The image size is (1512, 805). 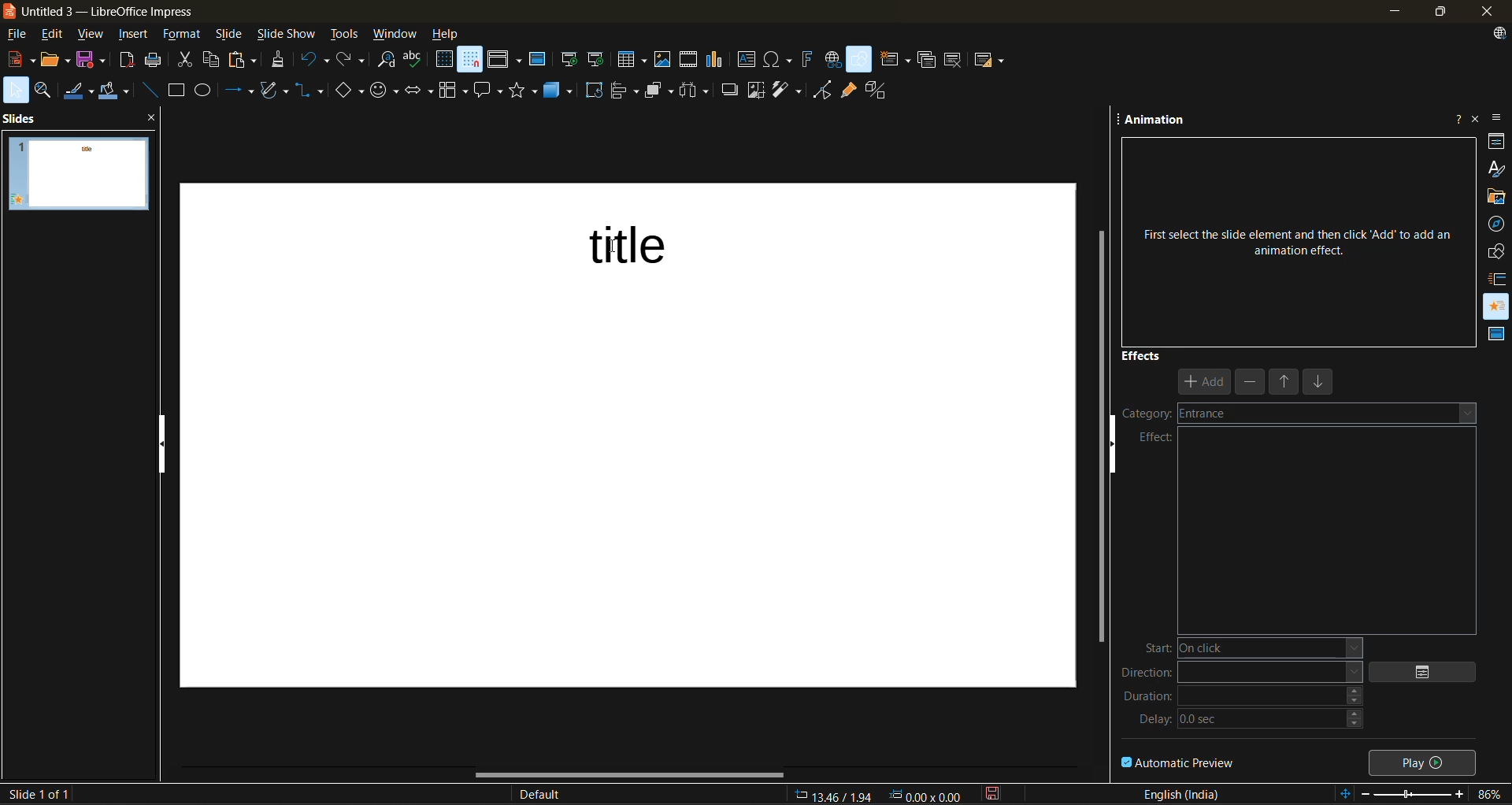 I want to click on hide, so click(x=1119, y=453).